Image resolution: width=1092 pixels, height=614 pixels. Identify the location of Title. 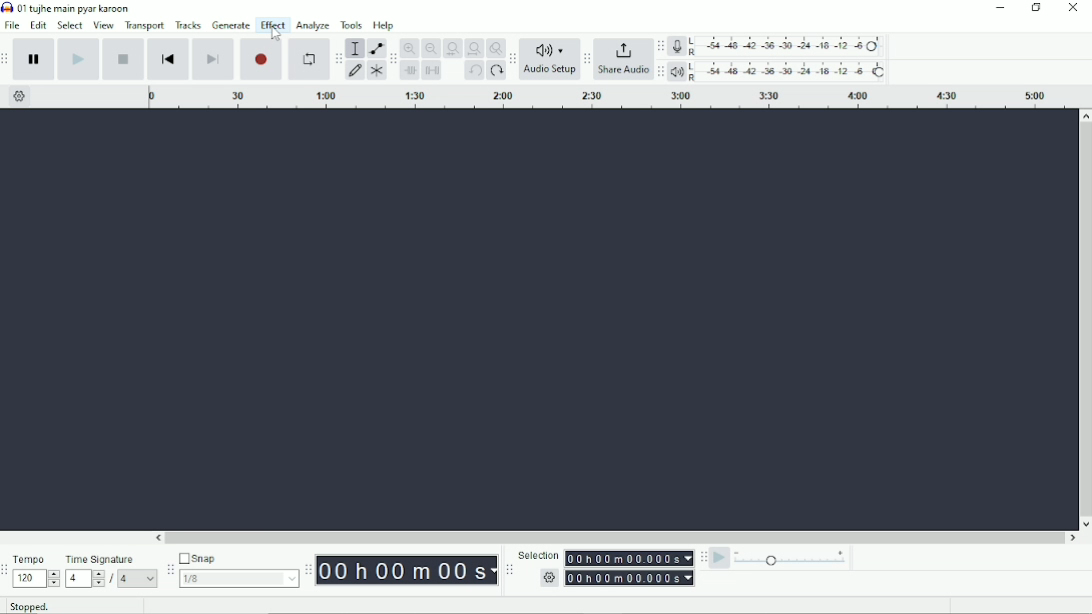
(71, 7).